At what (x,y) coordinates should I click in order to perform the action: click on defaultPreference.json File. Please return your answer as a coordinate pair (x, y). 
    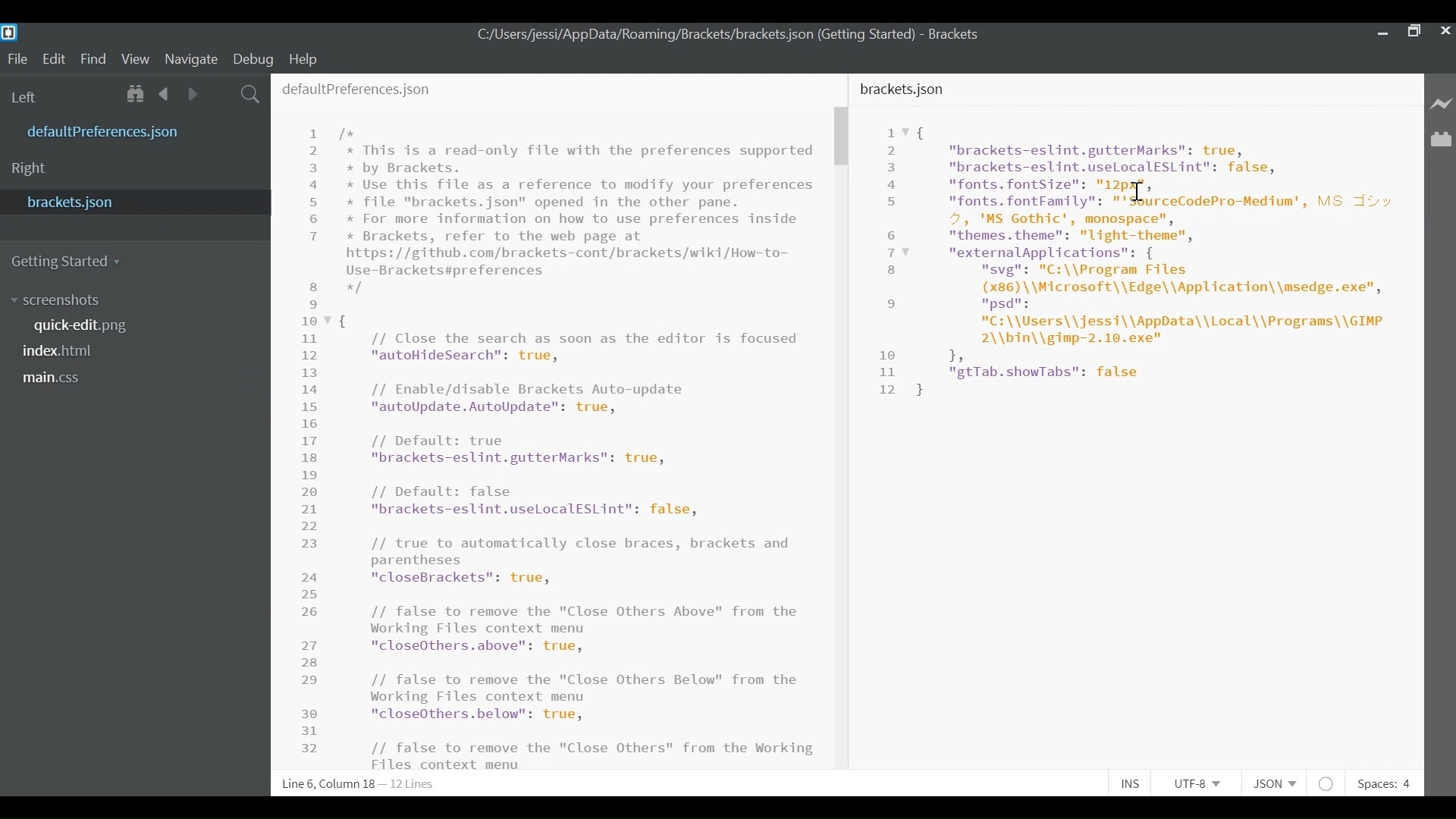
    Looking at the image, I should click on (108, 133).